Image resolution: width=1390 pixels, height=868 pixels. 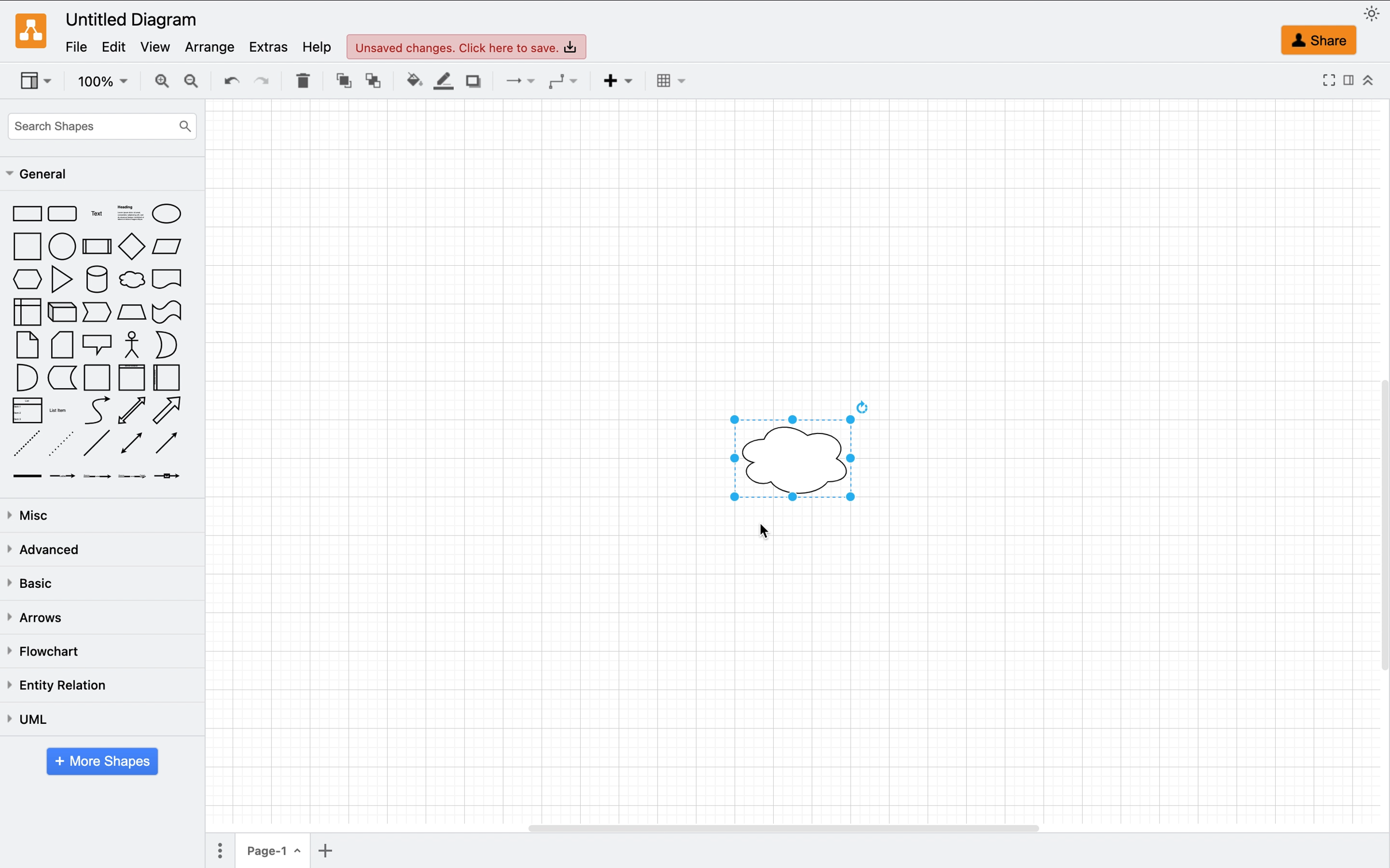 What do you see at coordinates (276, 854) in the screenshot?
I see `page 1` at bounding box center [276, 854].